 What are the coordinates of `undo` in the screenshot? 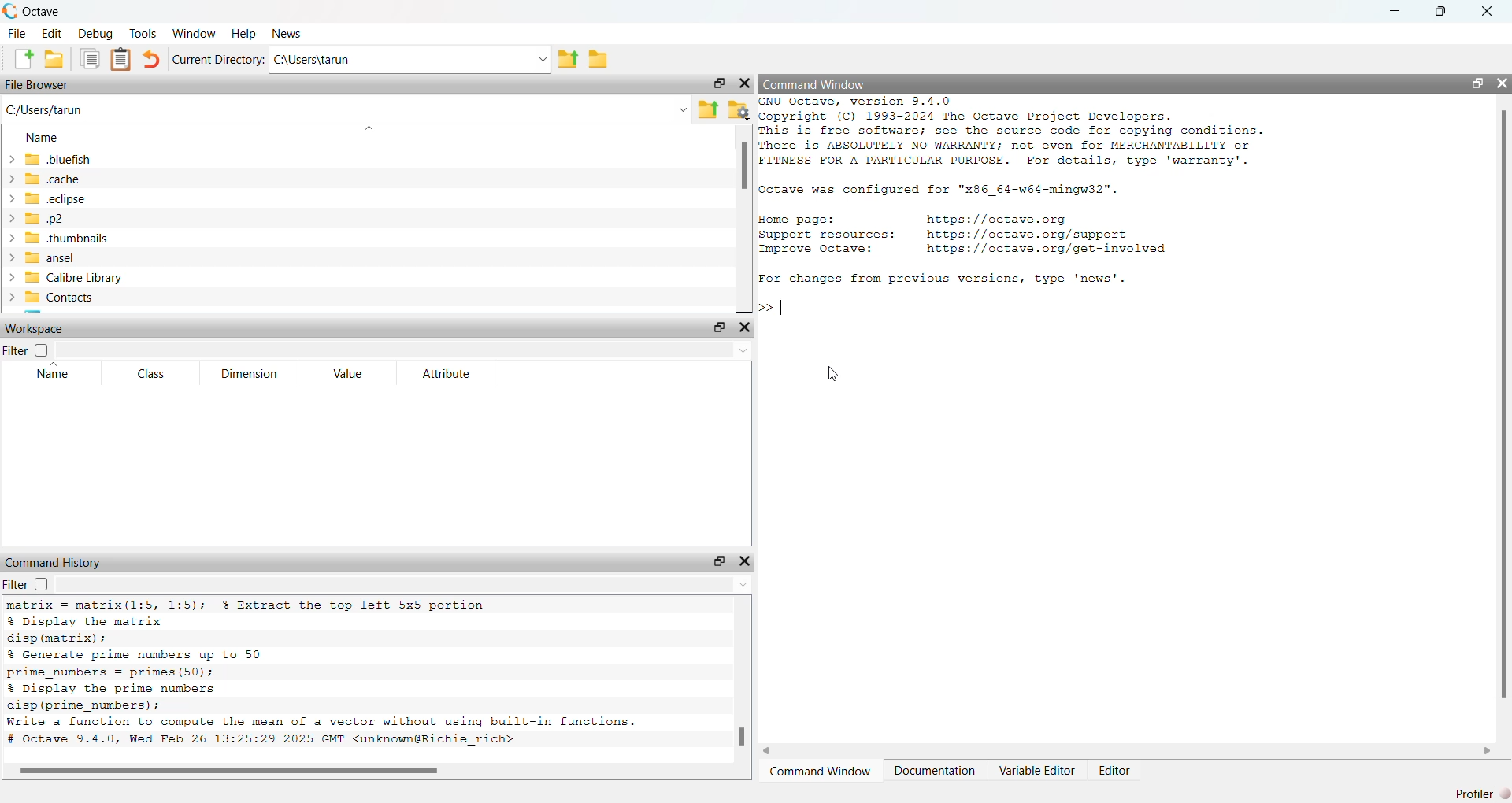 It's located at (153, 60).